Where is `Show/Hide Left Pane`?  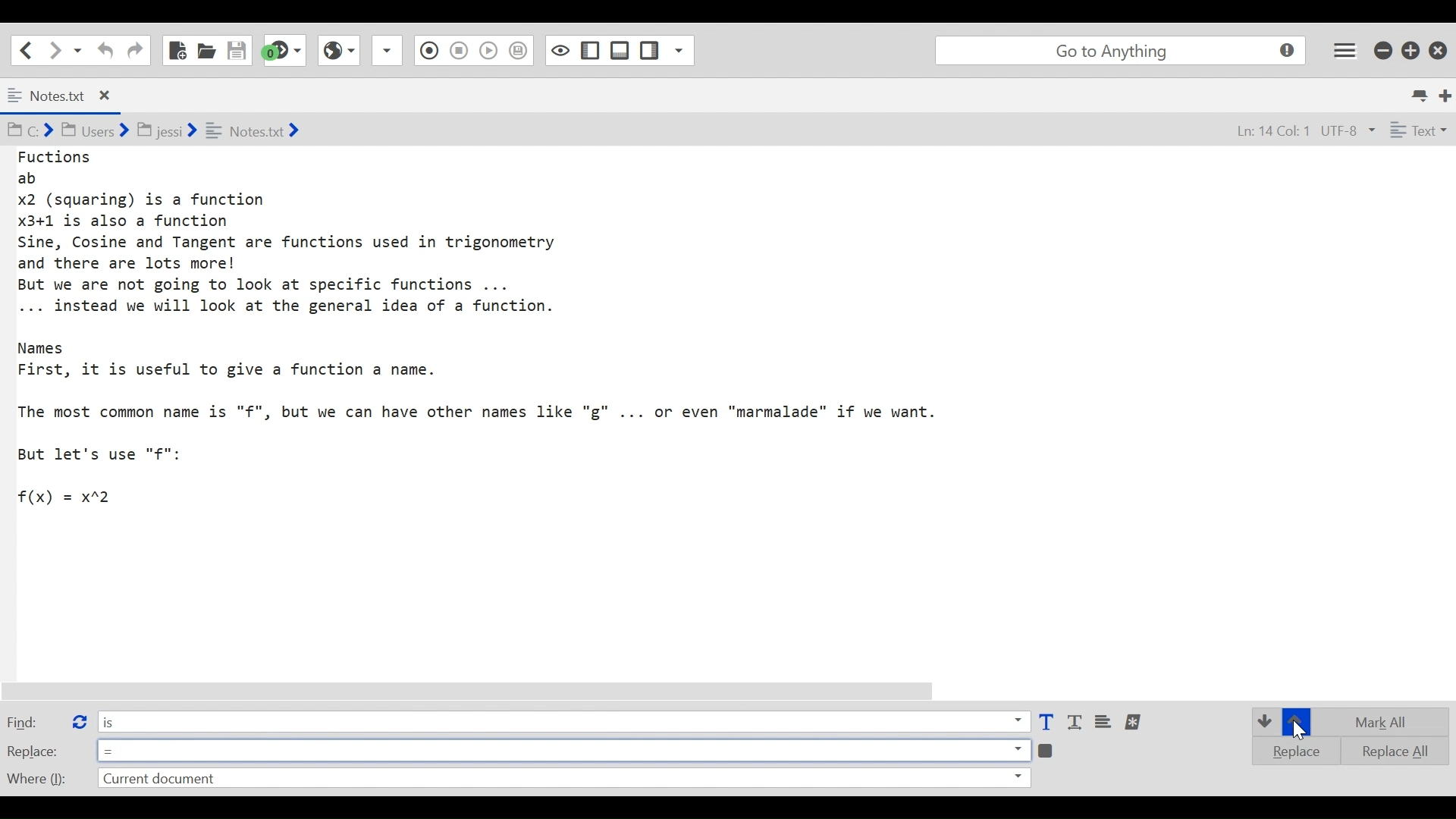 Show/Hide Left Pane is located at coordinates (620, 50).